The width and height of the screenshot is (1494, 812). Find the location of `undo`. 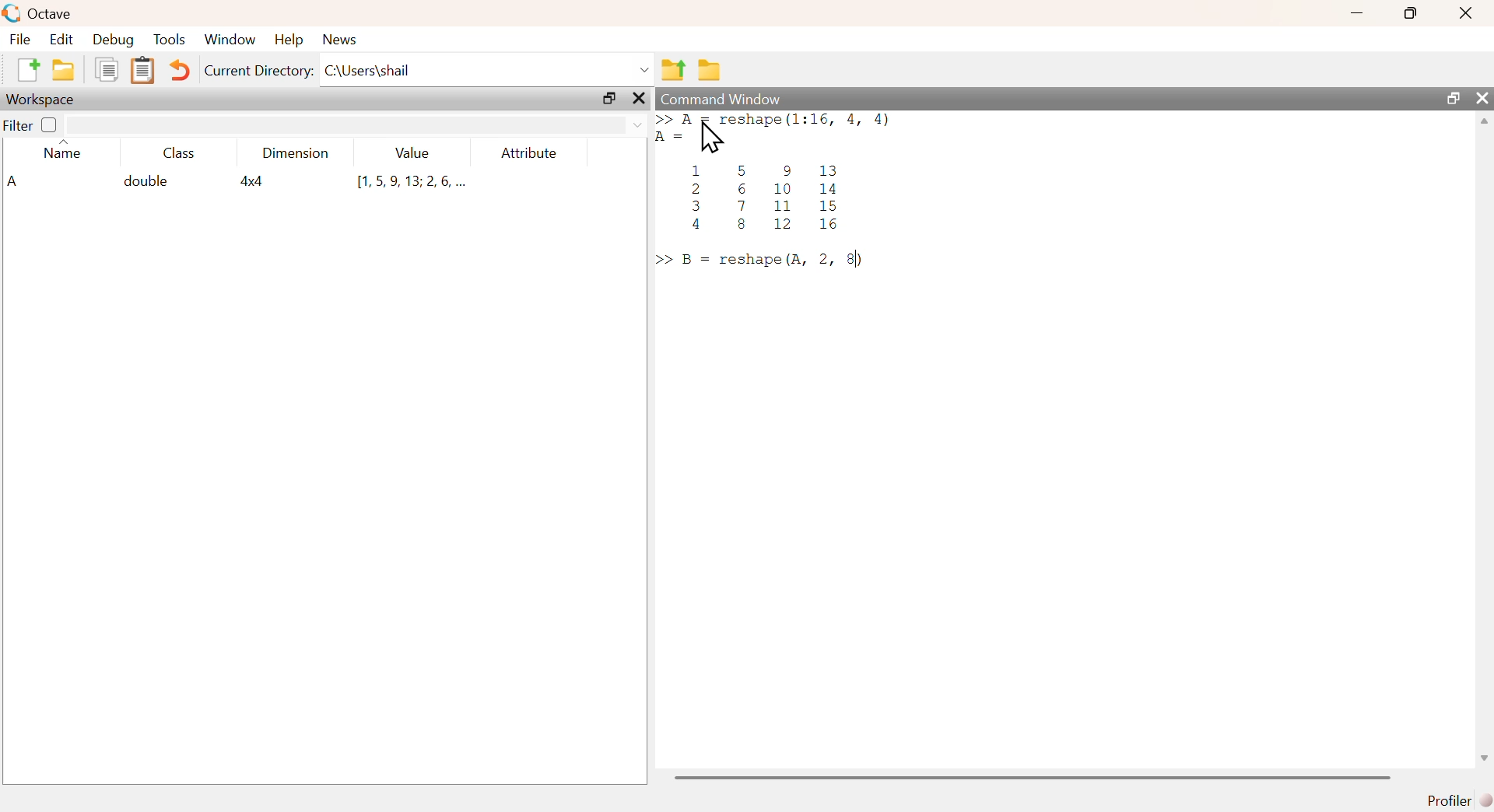

undo is located at coordinates (181, 73).